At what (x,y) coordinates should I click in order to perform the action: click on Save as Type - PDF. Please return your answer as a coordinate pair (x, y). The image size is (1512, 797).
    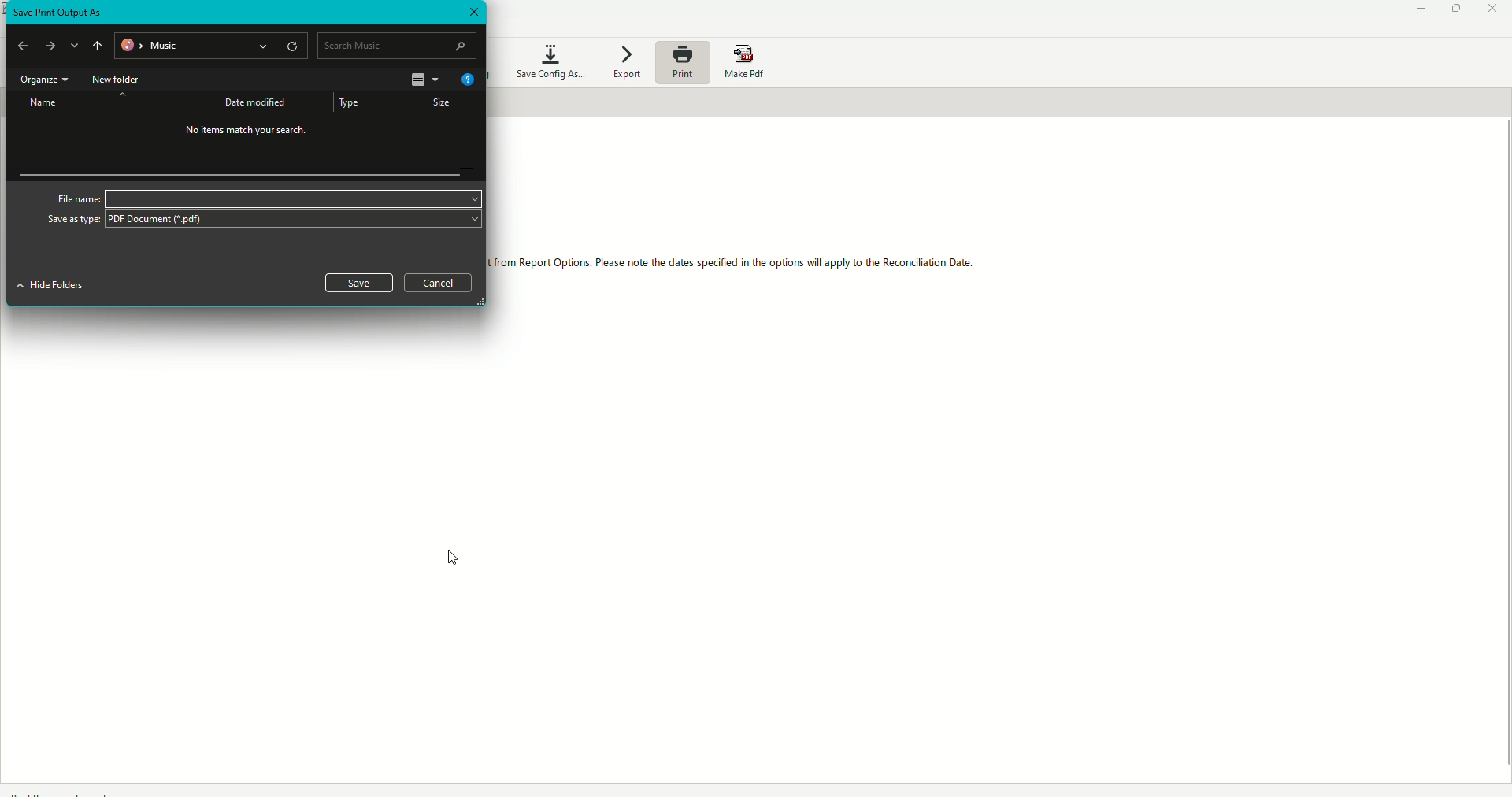
    Looking at the image, I should click on (262, 221).